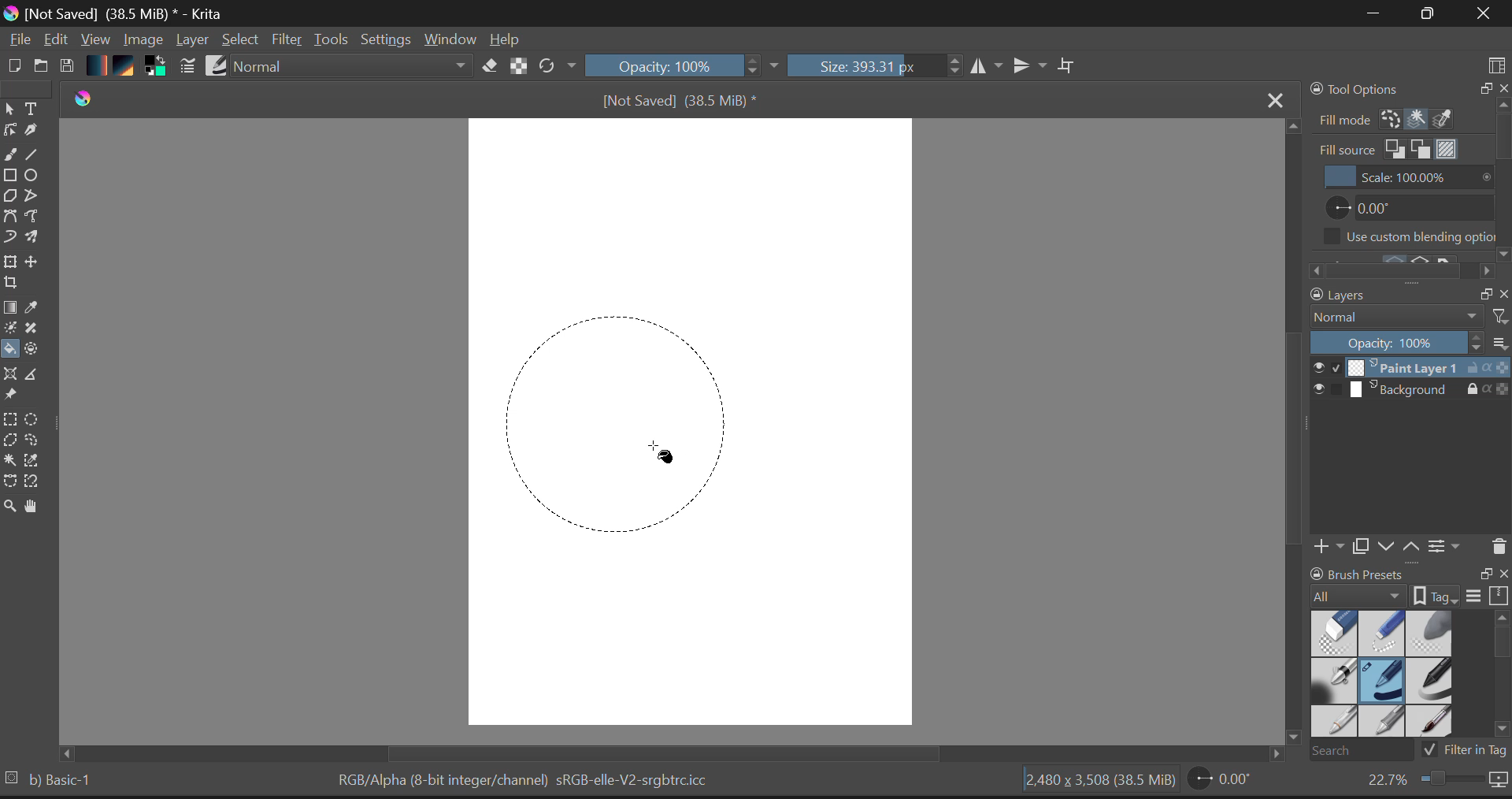 This screenshot has width=1512, height=799. Describe the element at coordinates (32, 109) in the screenshot. I see `Text` at that location.